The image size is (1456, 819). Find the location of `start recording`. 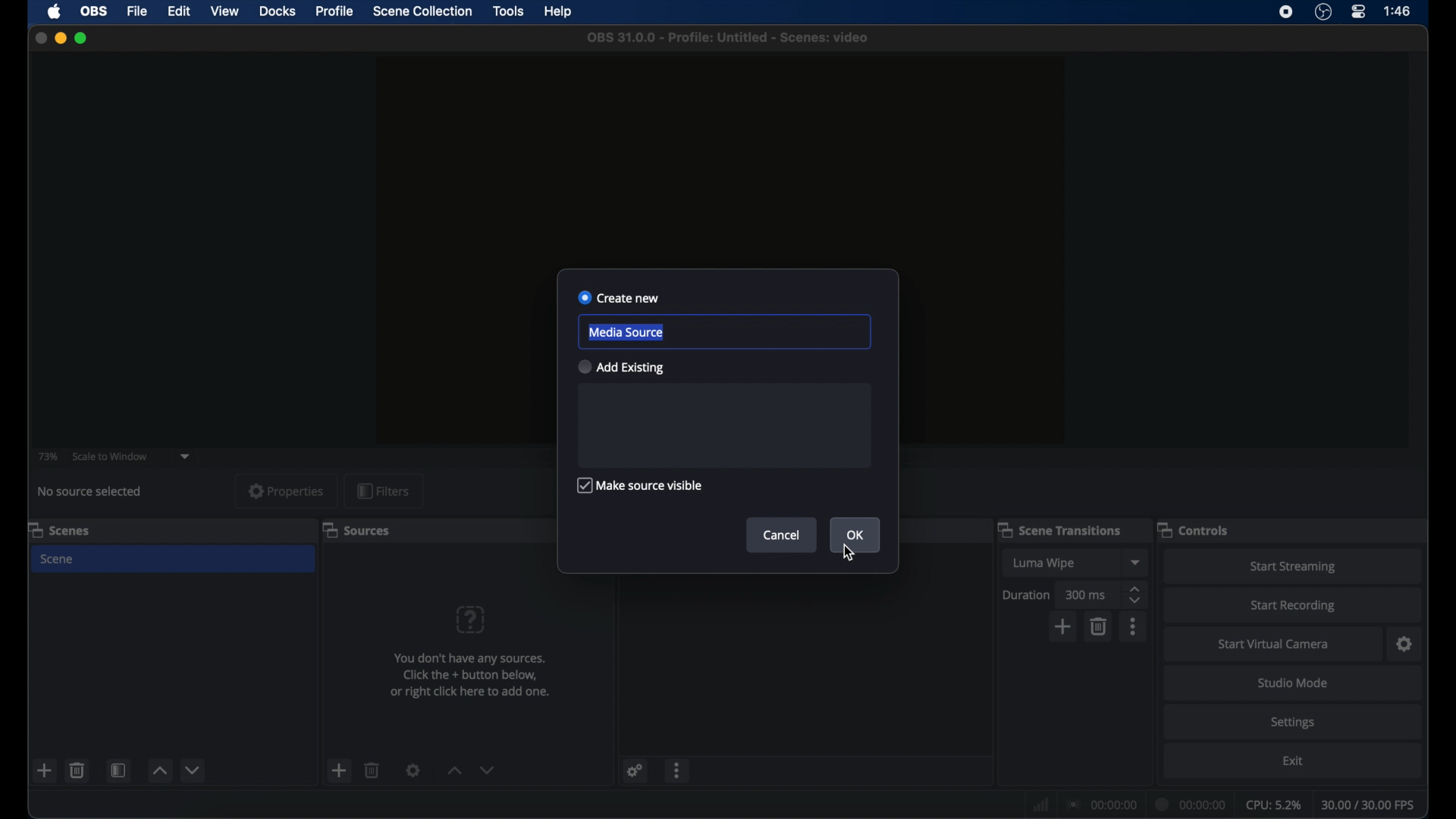

start recording is located at coordinates (1295, 606).